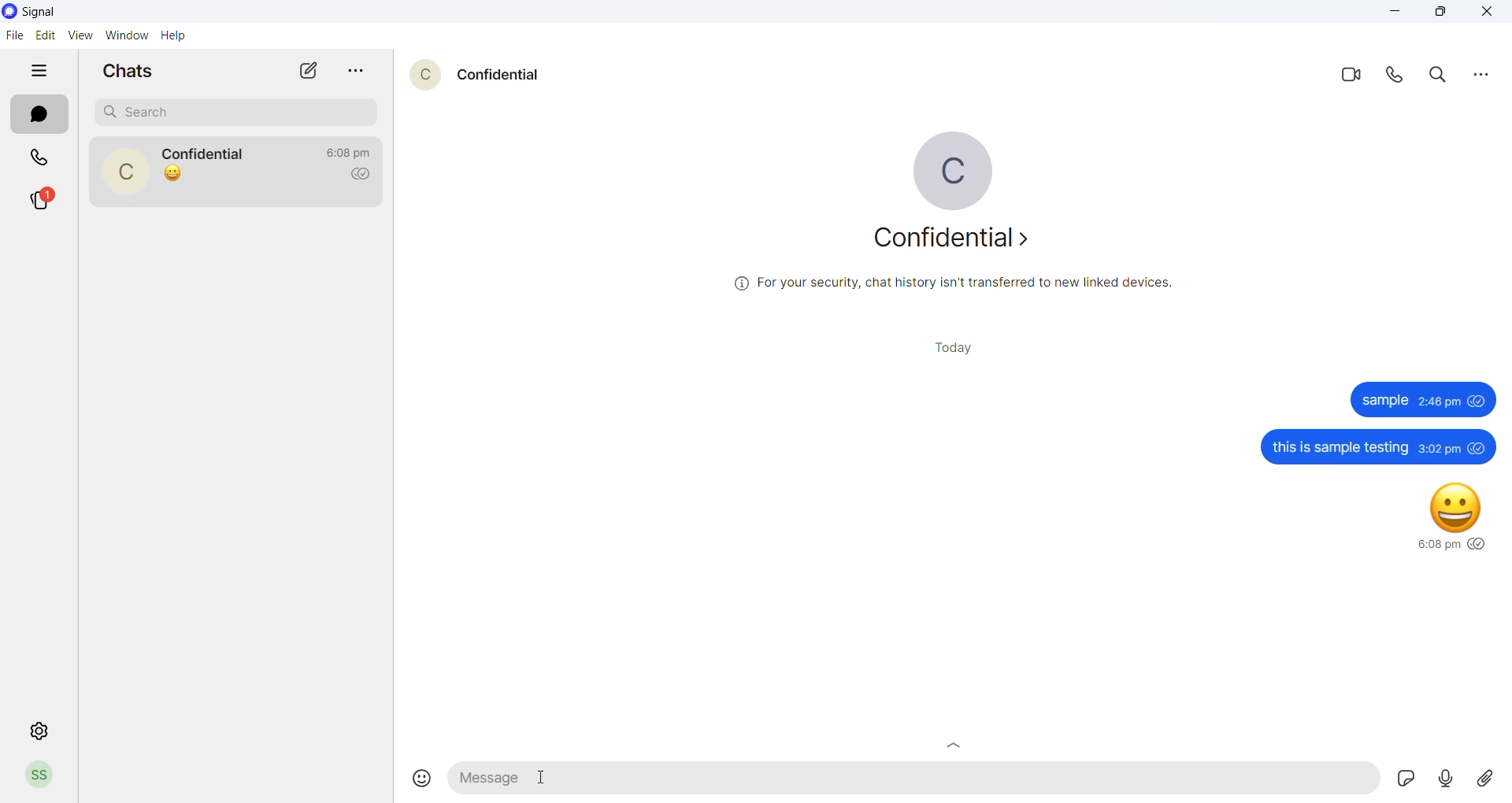 This screenshot has height=803, width=1512. Describe the element at coordinates (133, 70) in the screenshot. I see `chats` at that location.